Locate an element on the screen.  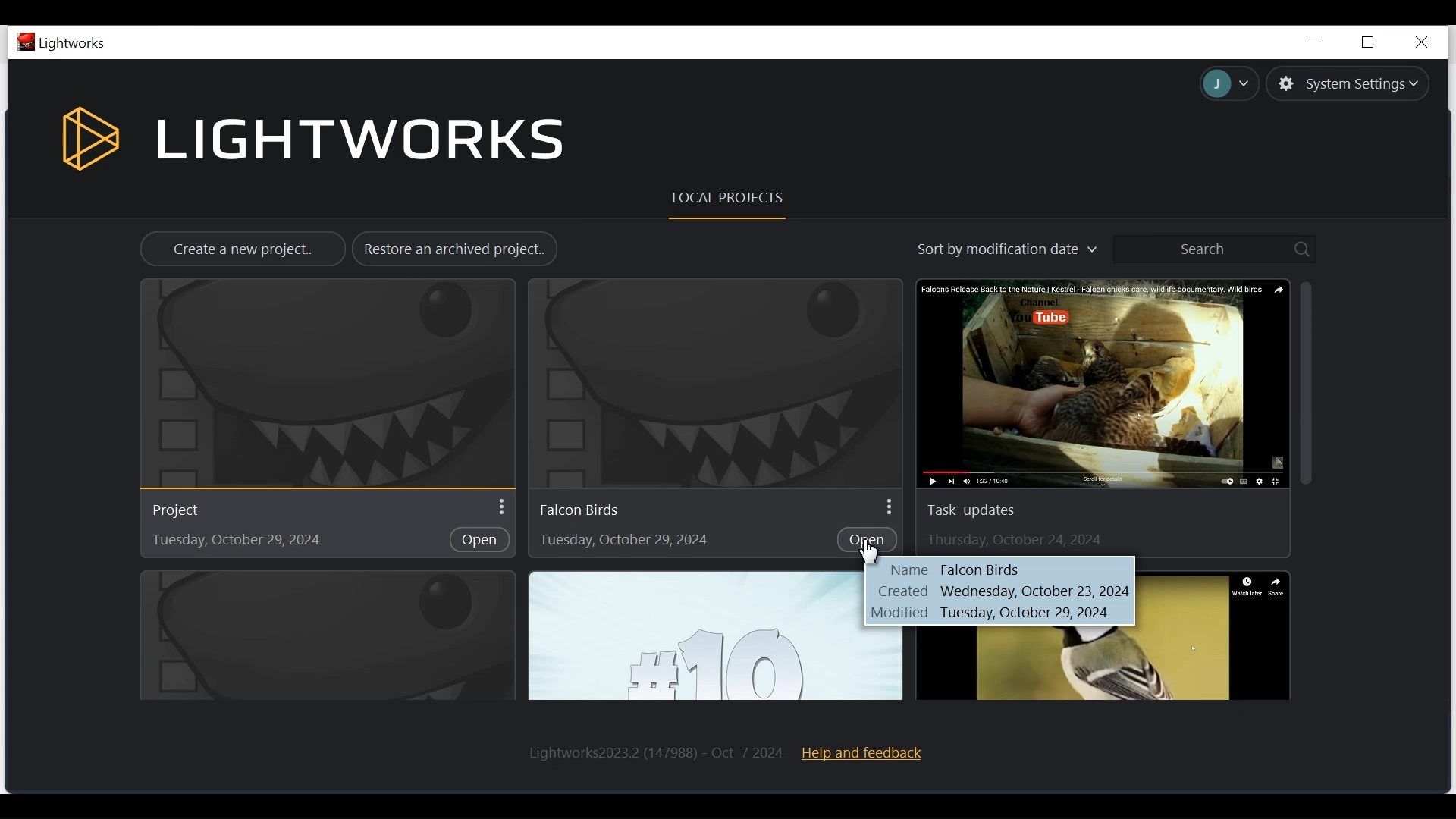
Task updates is located at coordinates (980, 510).